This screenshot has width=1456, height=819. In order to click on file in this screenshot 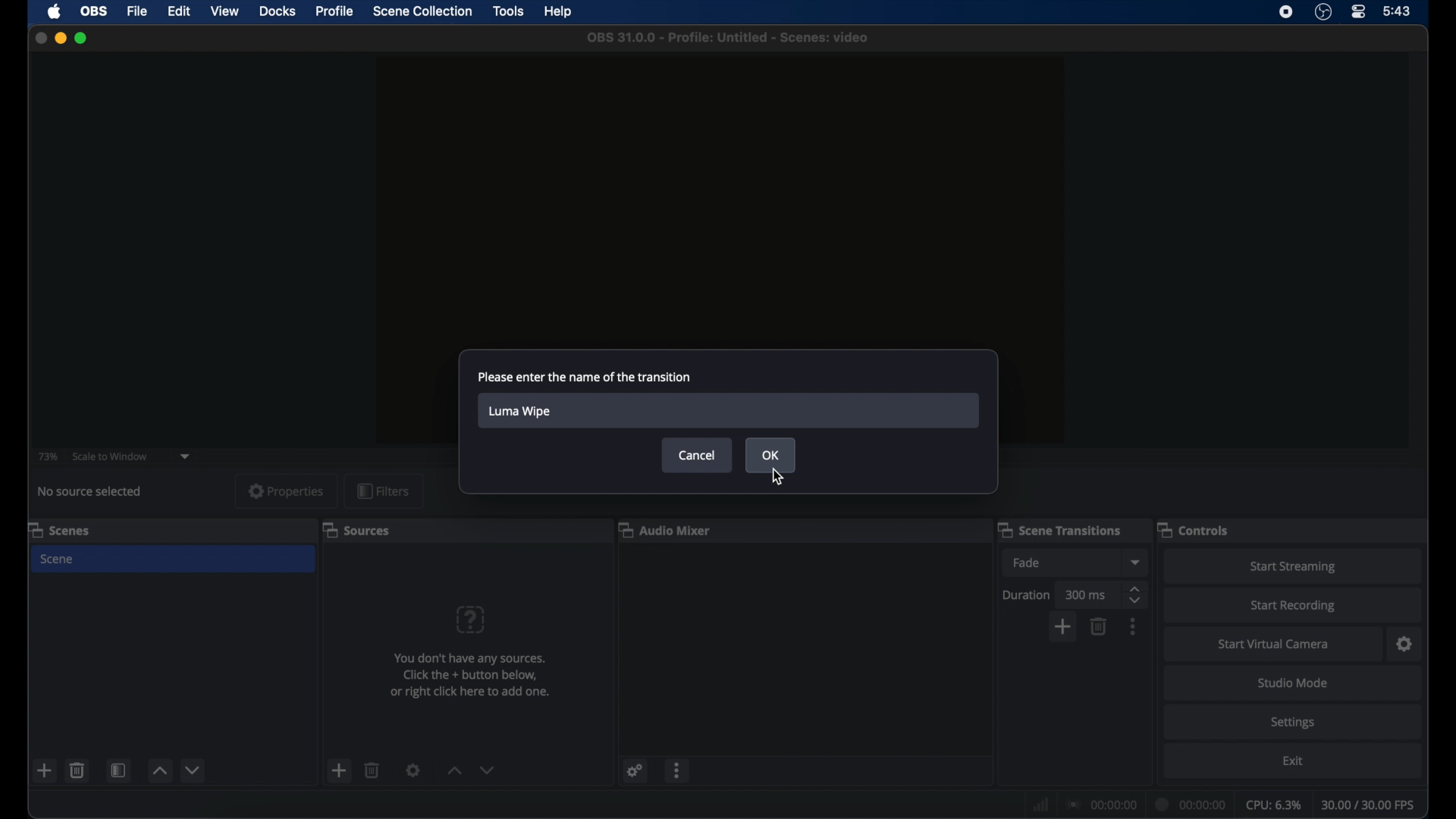, I will do `click(137, 11)`.